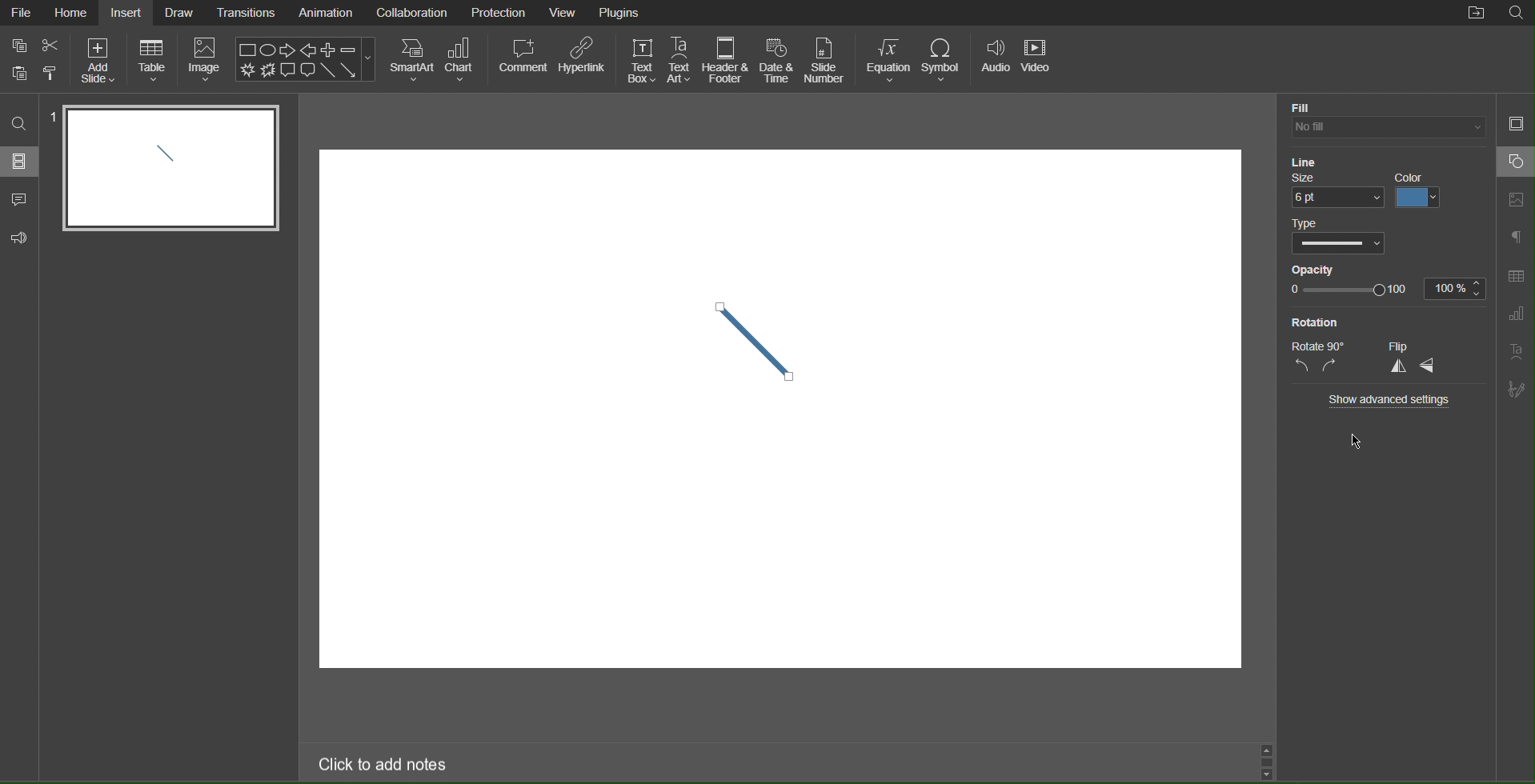  Describe the element at coordinates (755, 337) in the screenshot. I see `Line (thick)` at that location.